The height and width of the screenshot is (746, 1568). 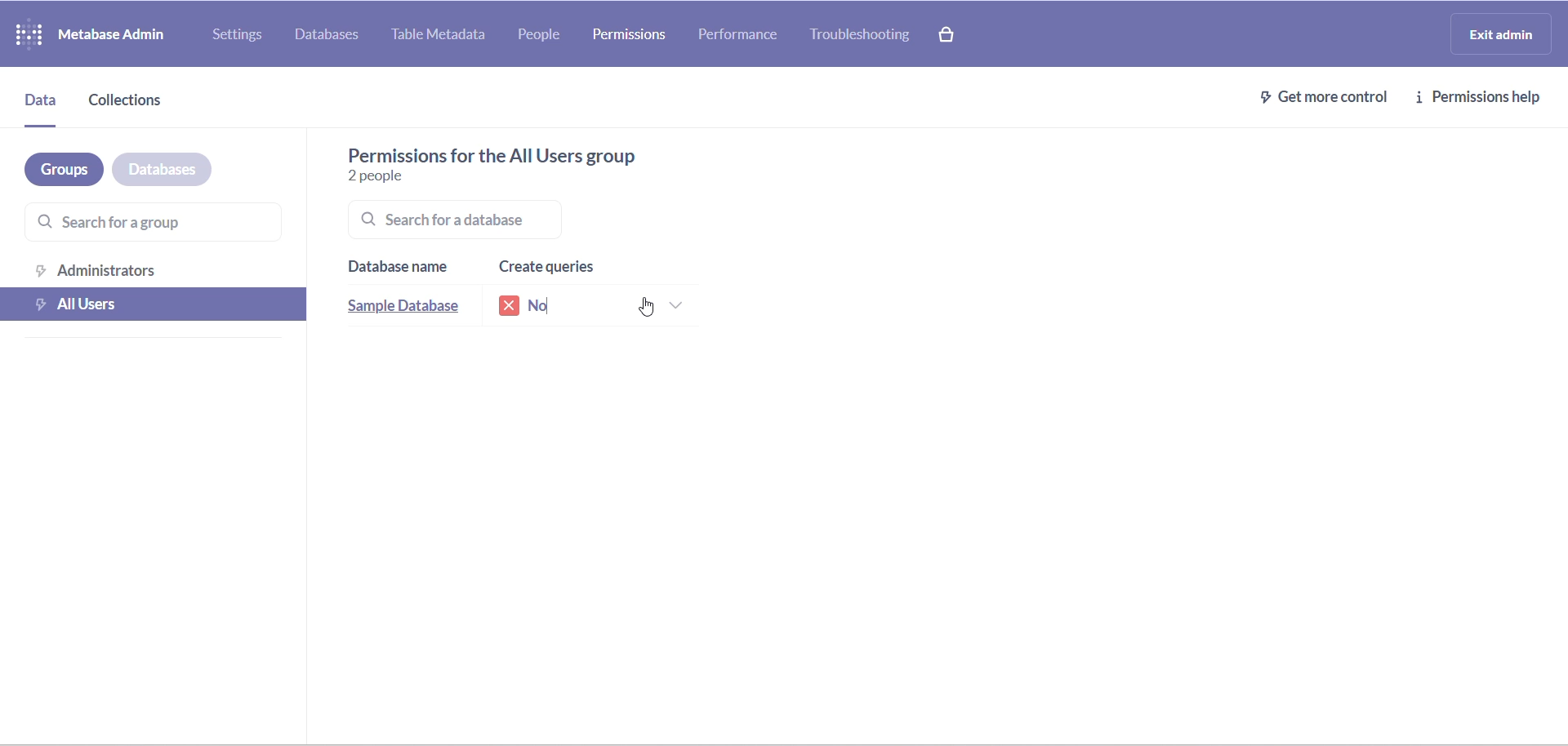 I want to click on table metadata, so click(x=445, y=36).